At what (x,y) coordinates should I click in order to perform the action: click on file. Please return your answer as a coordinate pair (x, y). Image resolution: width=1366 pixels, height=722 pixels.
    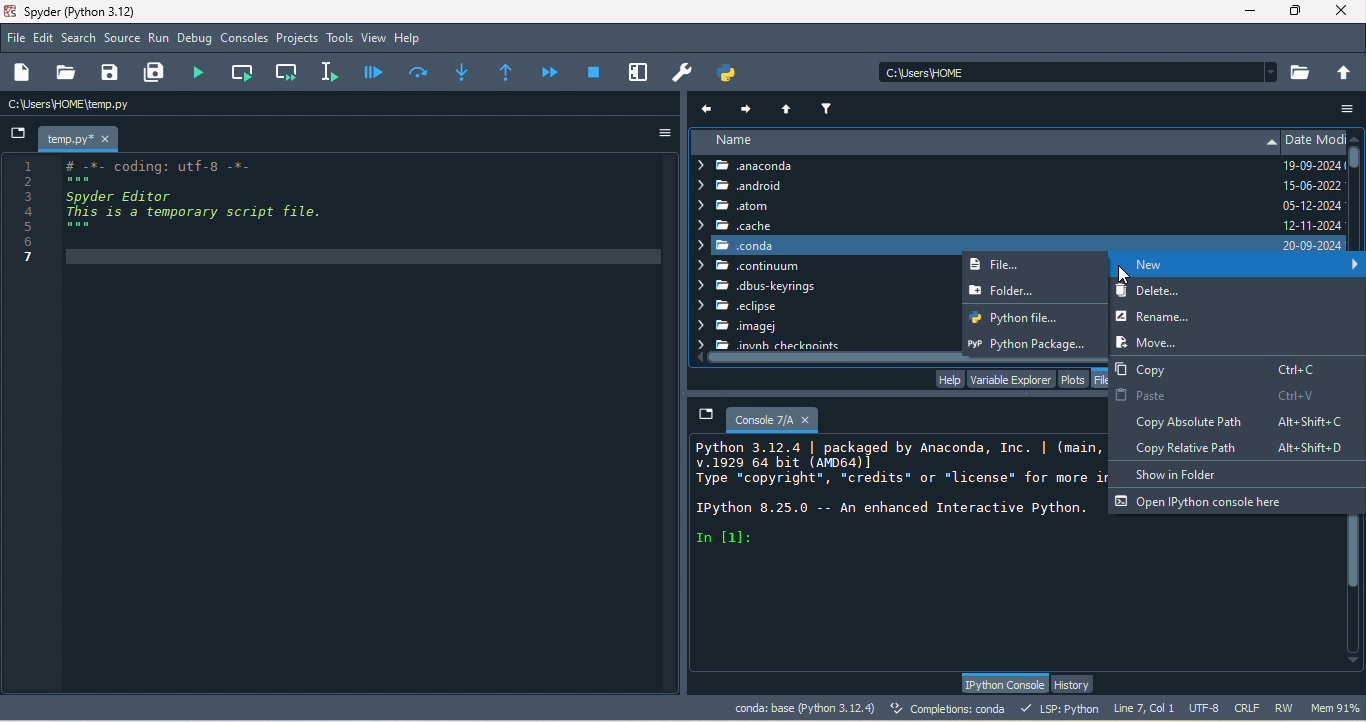
    Looking at the image, I should click on (17, 37).